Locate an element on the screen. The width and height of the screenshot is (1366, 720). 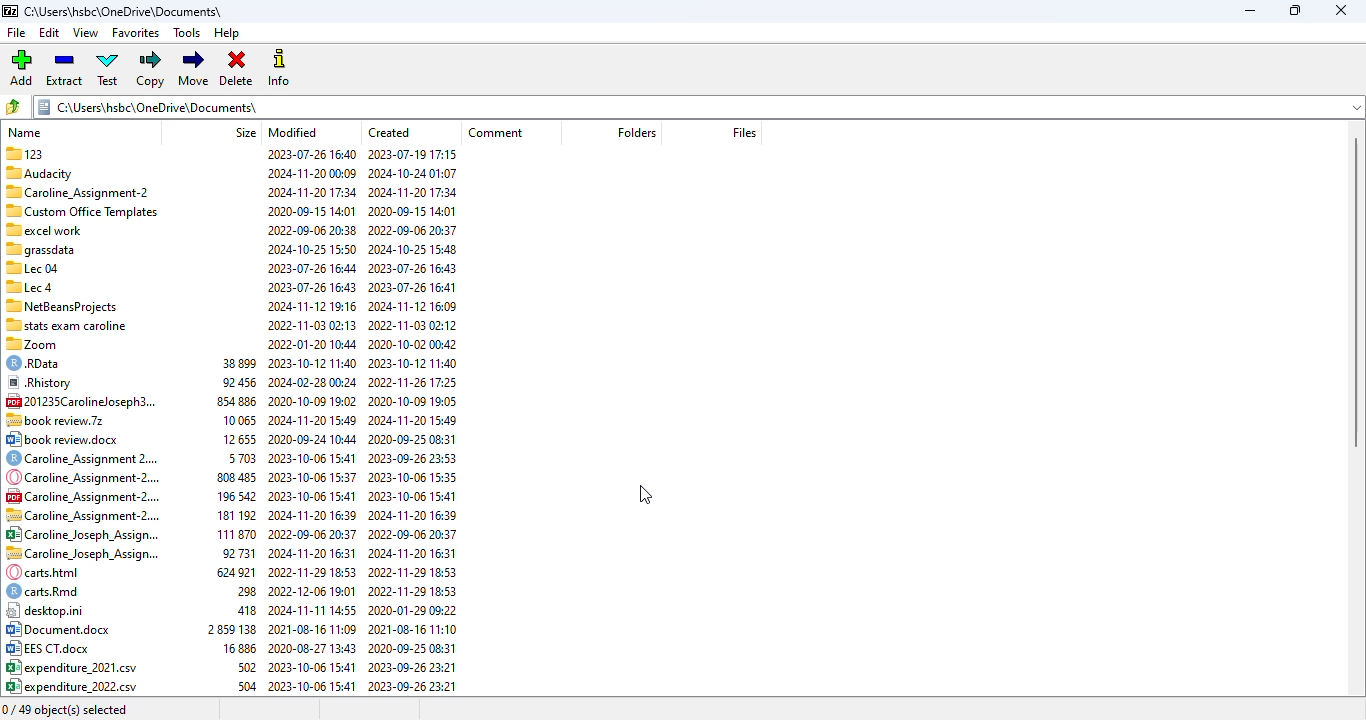
Custom Office Templates is located at coordinates (83, 210).